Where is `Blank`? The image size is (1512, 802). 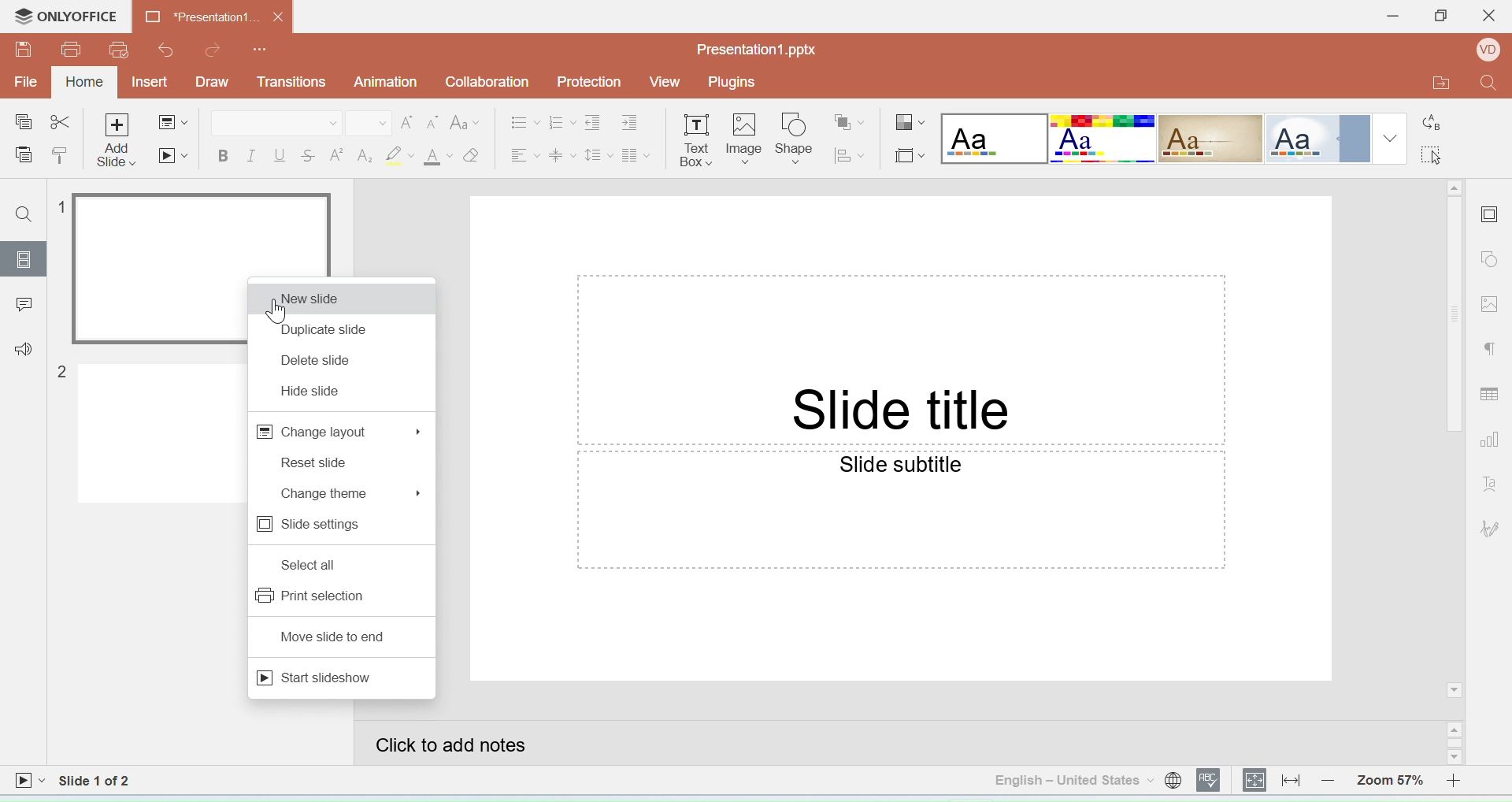
Blank is located at coordinates (994, 139).